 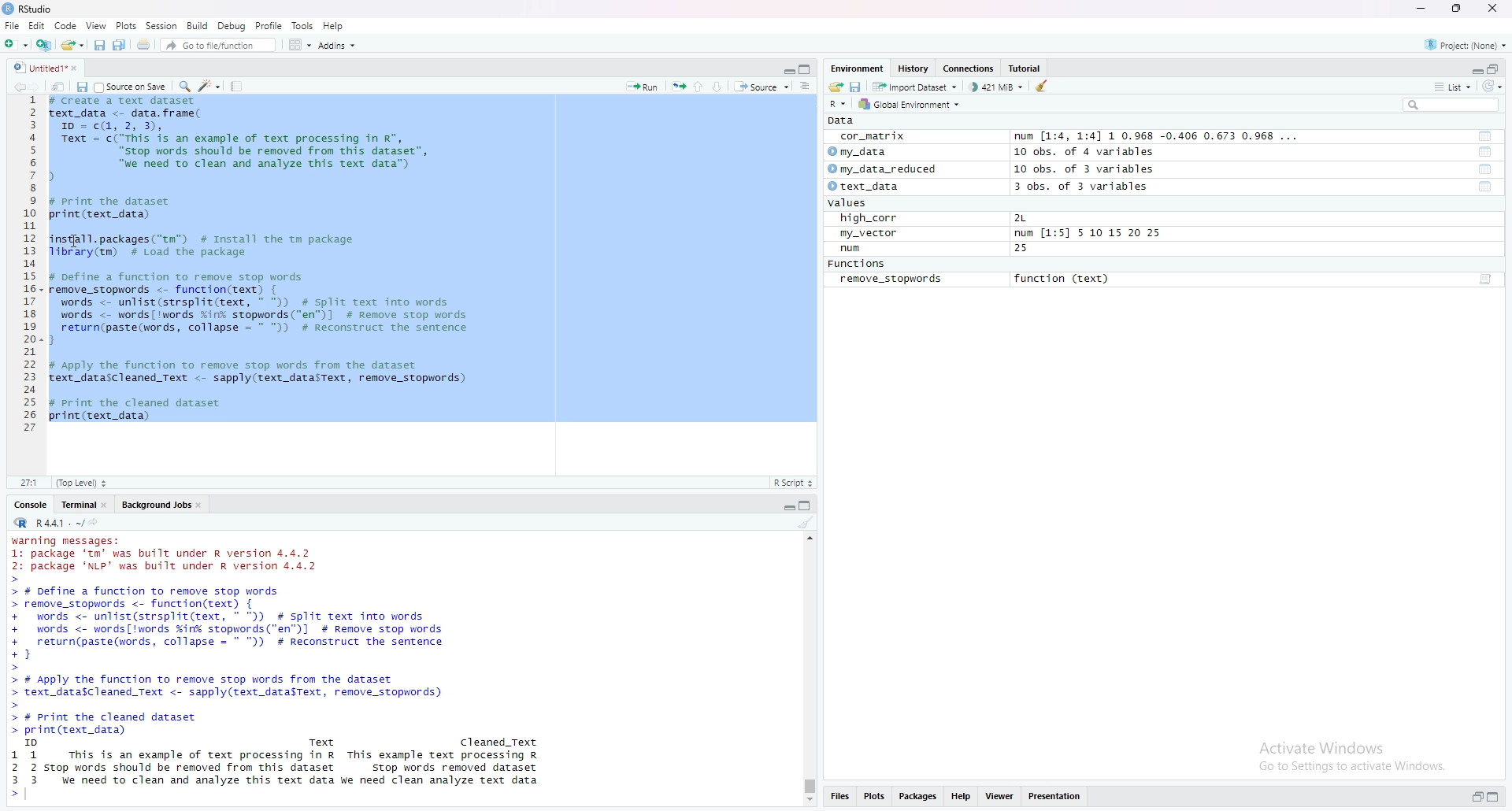 What do you see at coordinates (132, 87) in the screenshot?
I see `source on save` at bounding box center [132, 87].